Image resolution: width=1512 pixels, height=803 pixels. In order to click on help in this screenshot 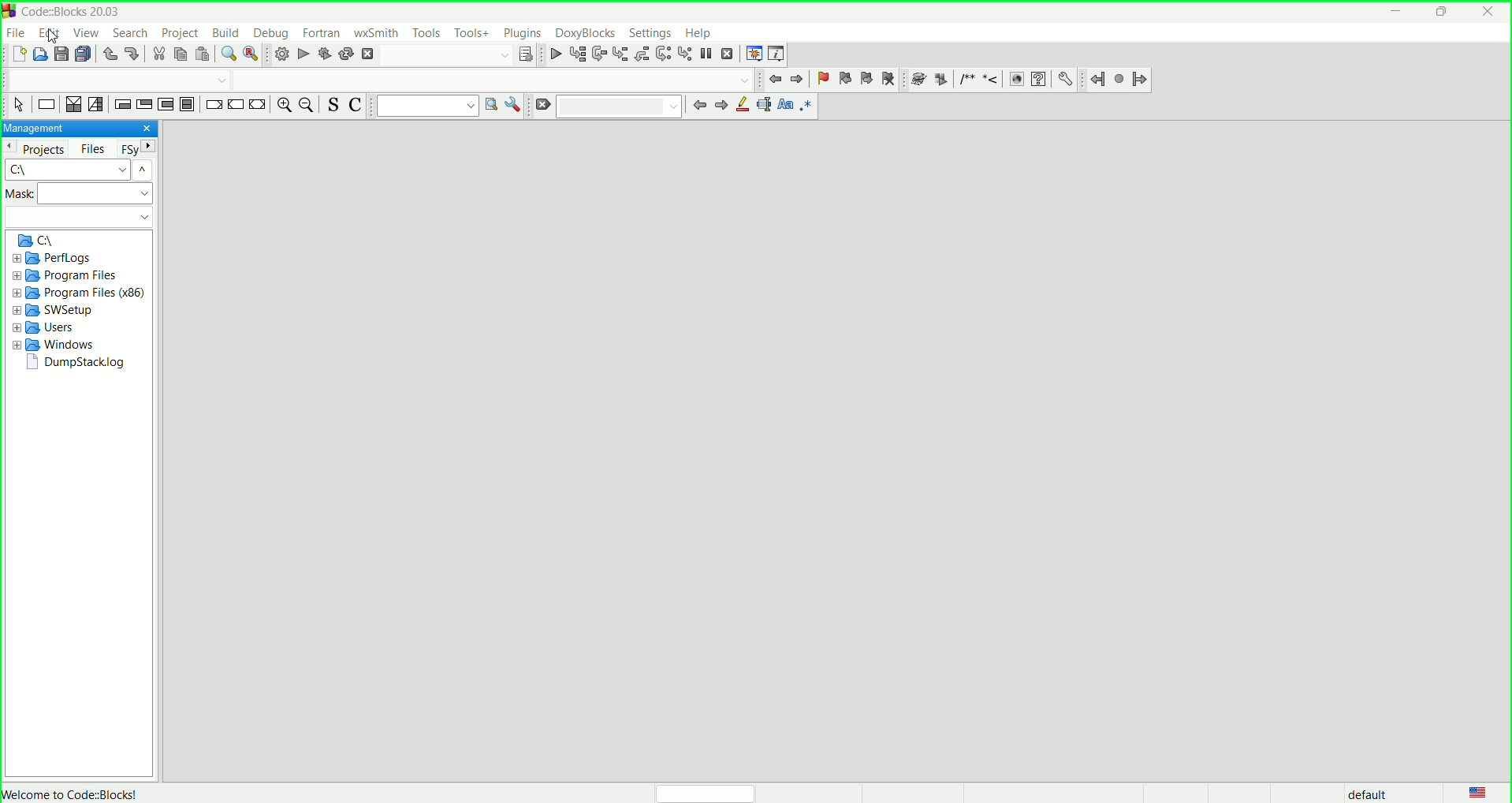, I will do `click(700, 31)`.